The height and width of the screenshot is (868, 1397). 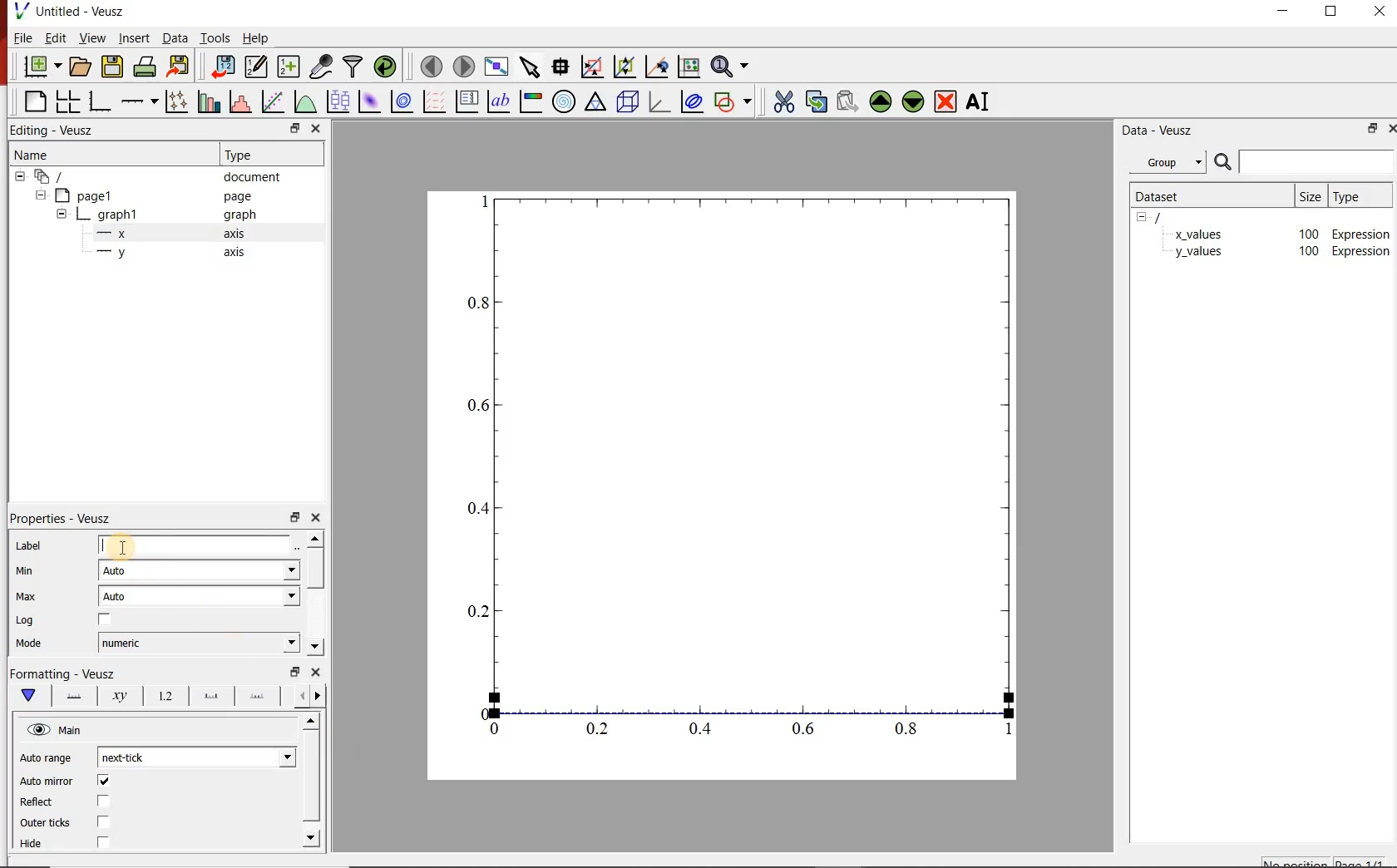 What do you see at coordinates (200, 570) in the screenshot?
I see `auto` at bounding box center [200, 570].